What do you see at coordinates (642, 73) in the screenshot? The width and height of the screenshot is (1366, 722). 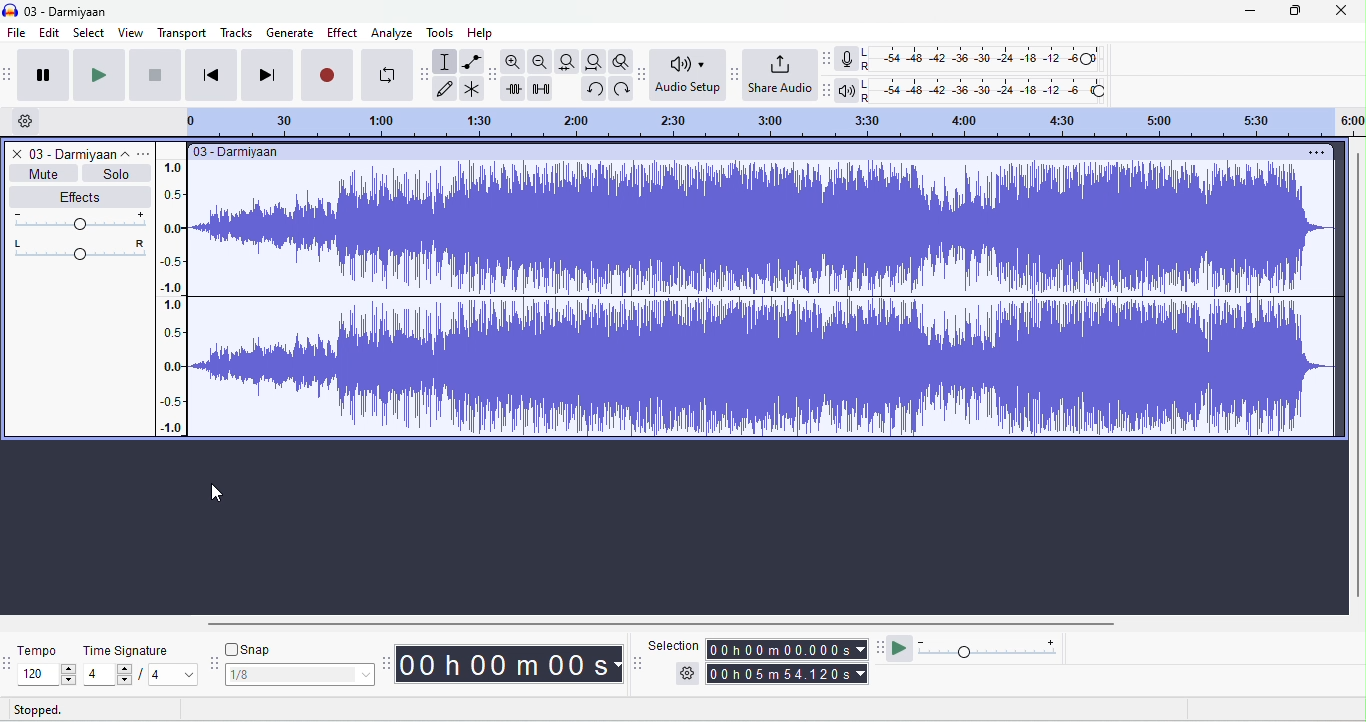 I see `audio set up tool bar` at bounding box center [642, 73].